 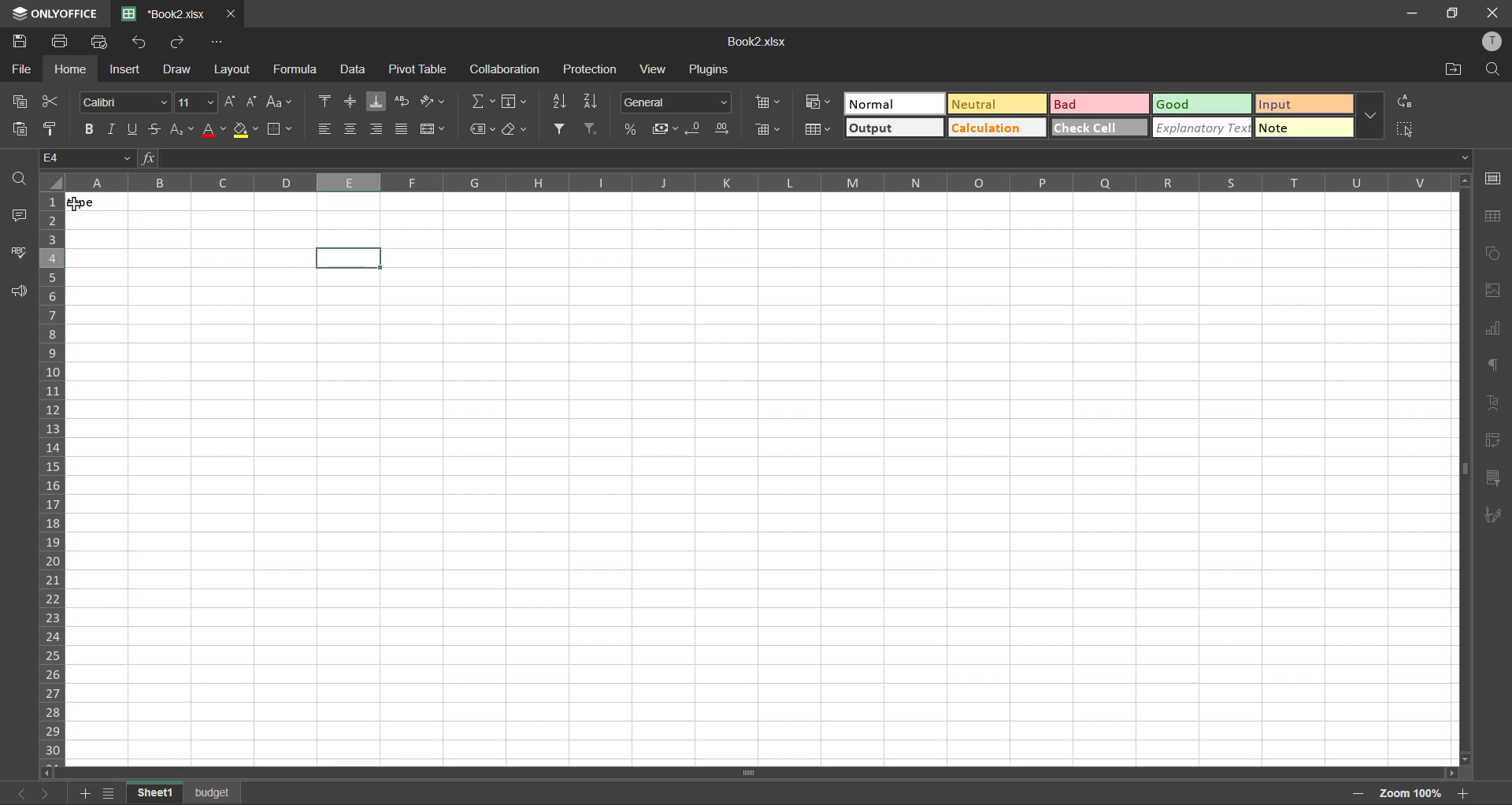 What do you see at coordinates (280, 101) in the screenshot?
I see `change case` at bounding box center [280, 101].